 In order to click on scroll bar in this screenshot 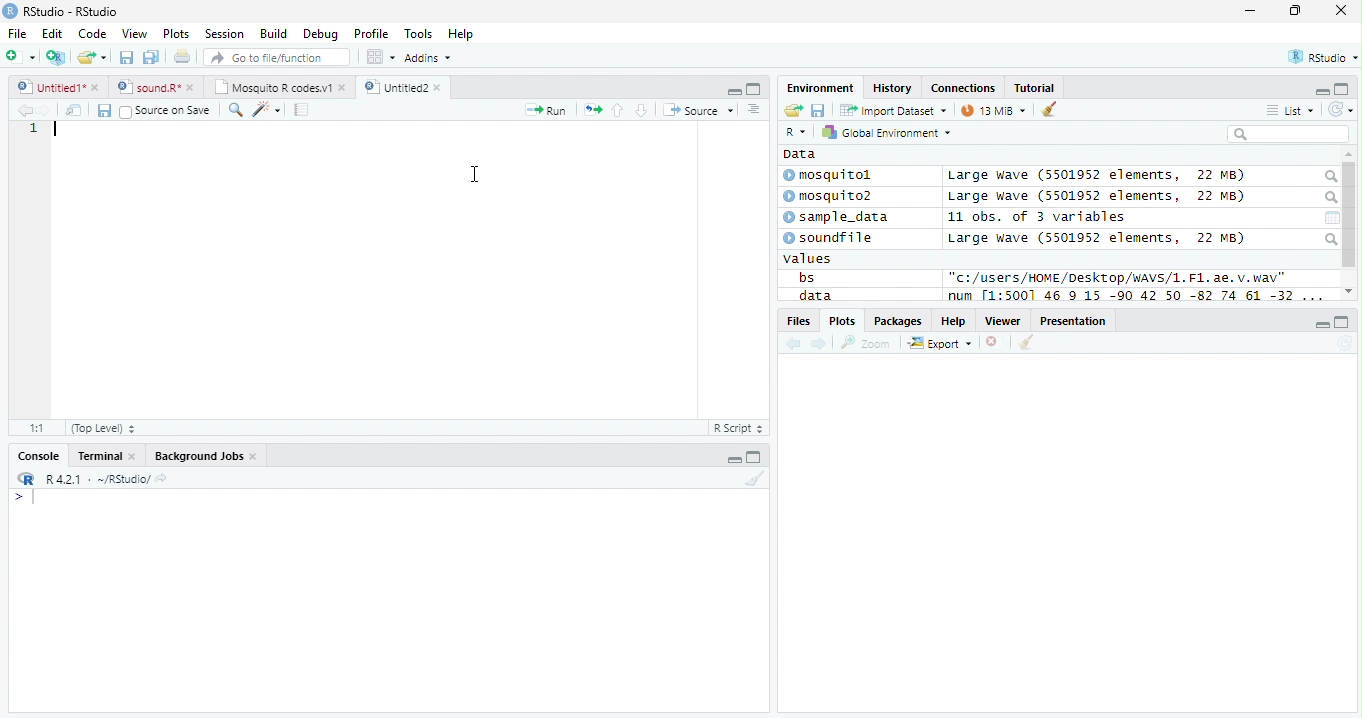, I will do `click(1350, 215)`.